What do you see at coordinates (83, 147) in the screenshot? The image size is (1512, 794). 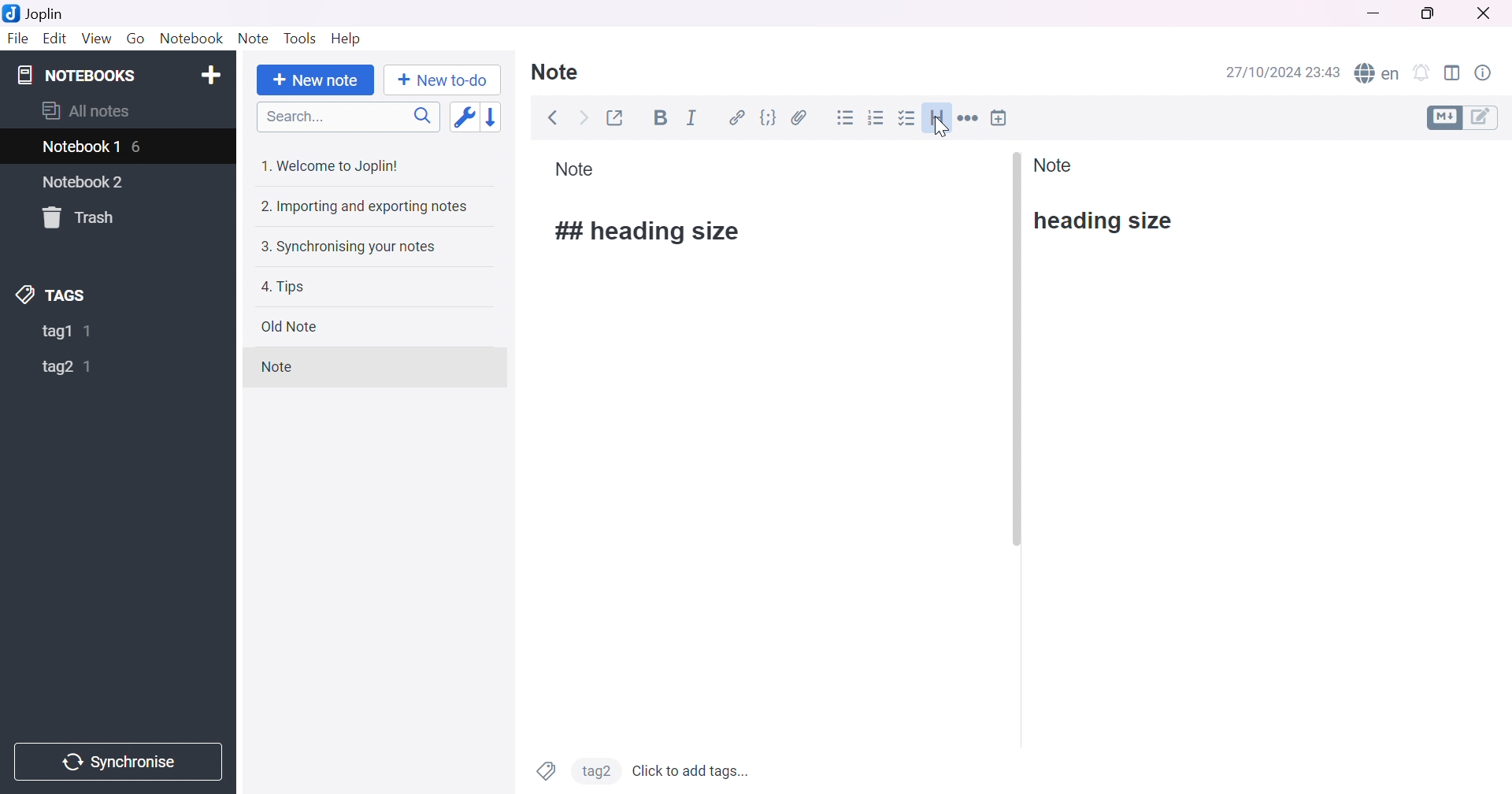 I see `Notebook 1` at bounding box center [83, 147].